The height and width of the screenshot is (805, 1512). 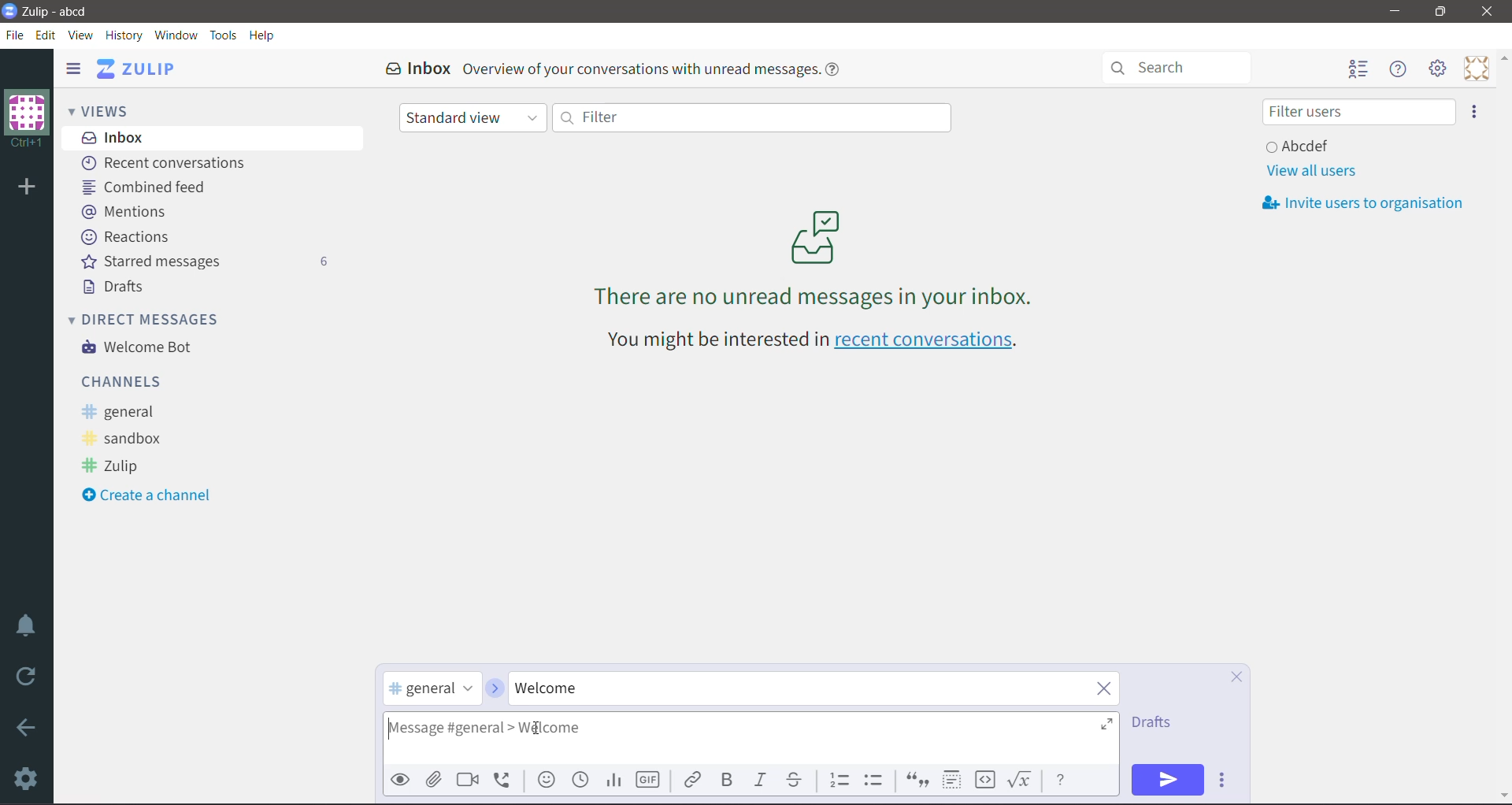 I want to click on general, so click(x=124, y=412).